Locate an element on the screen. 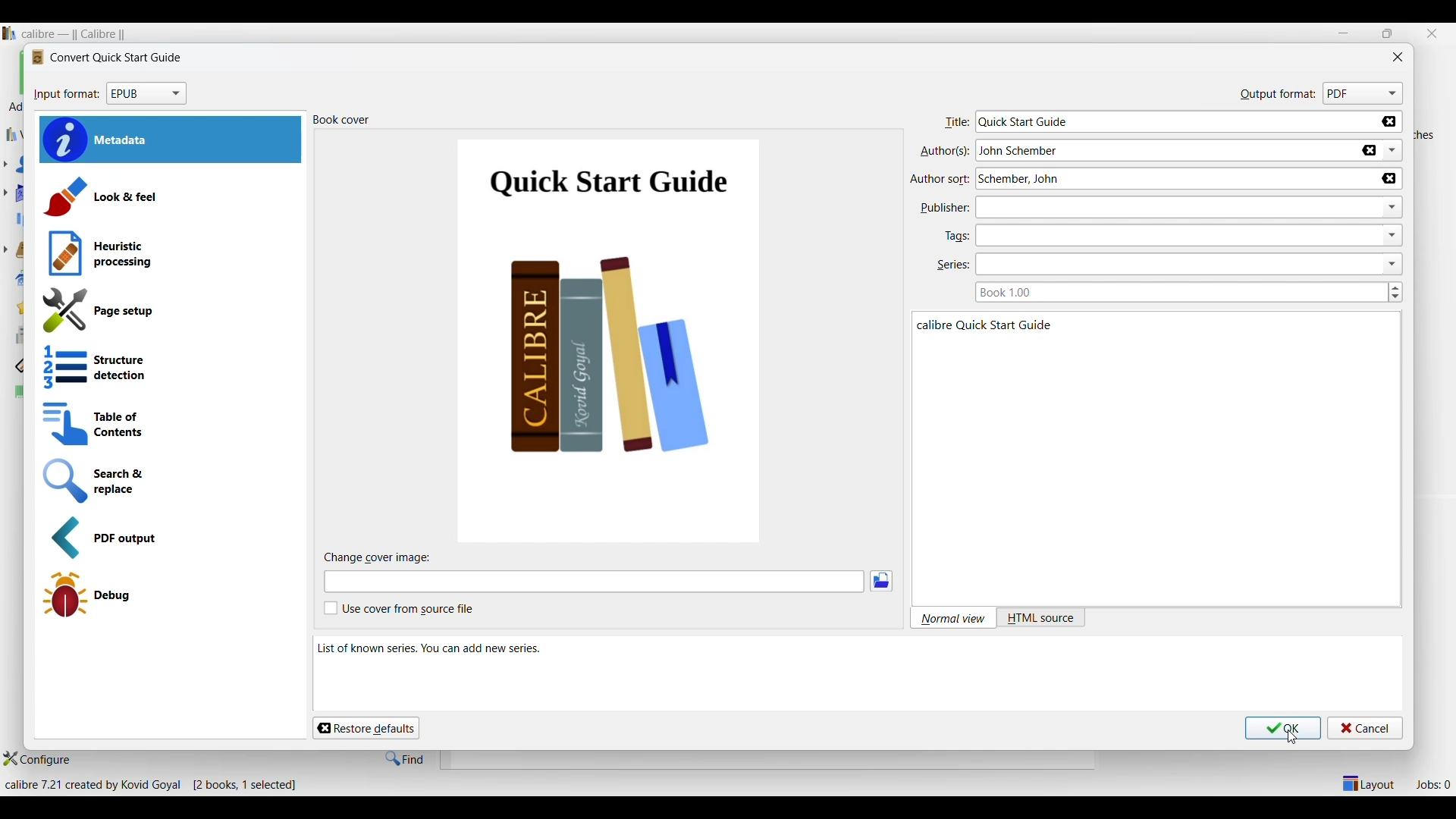  Type in cover image file is located at coordinates (594, 582).